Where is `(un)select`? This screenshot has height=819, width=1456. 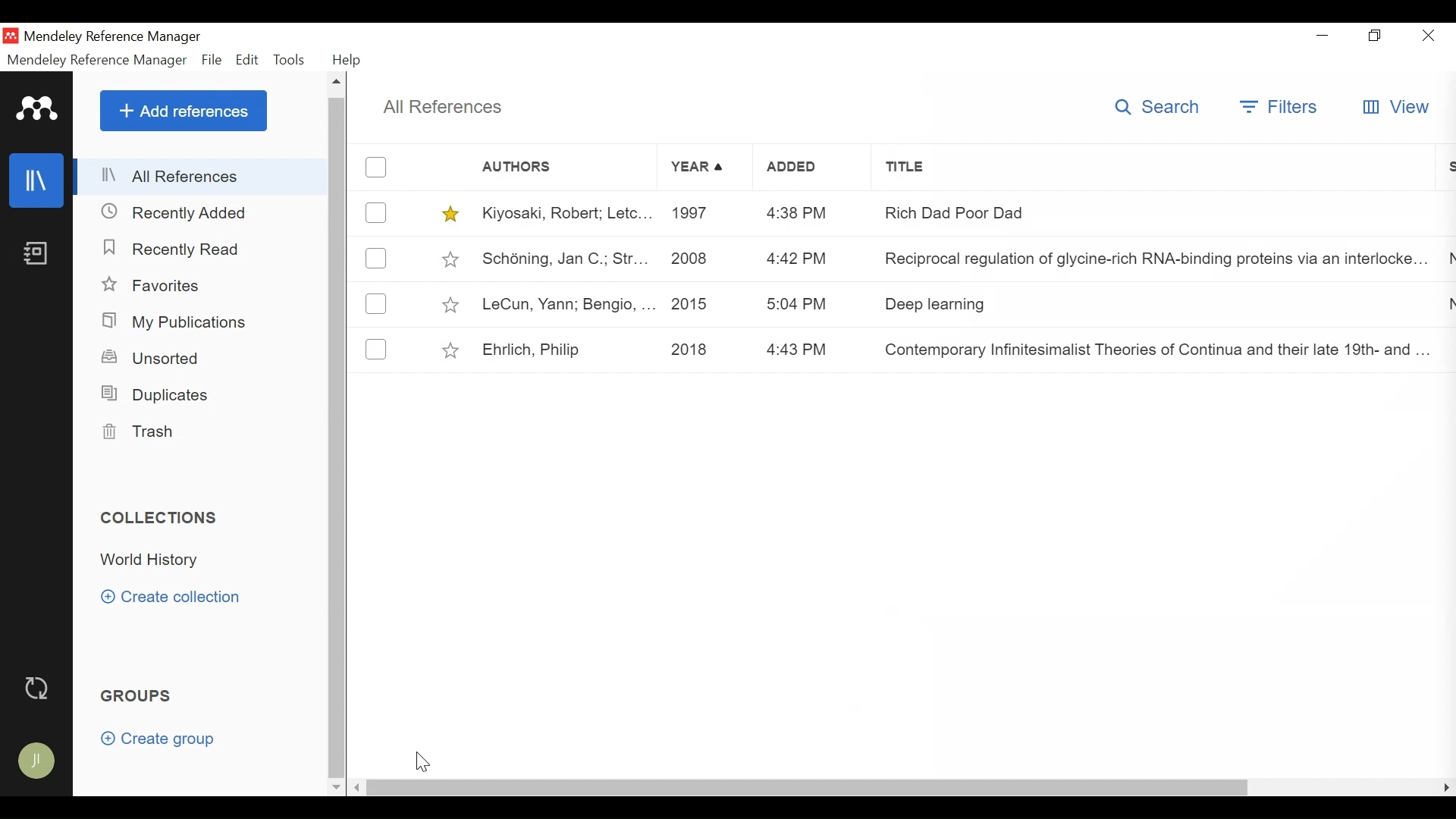 (un)select is located at coordinates (381, 305).